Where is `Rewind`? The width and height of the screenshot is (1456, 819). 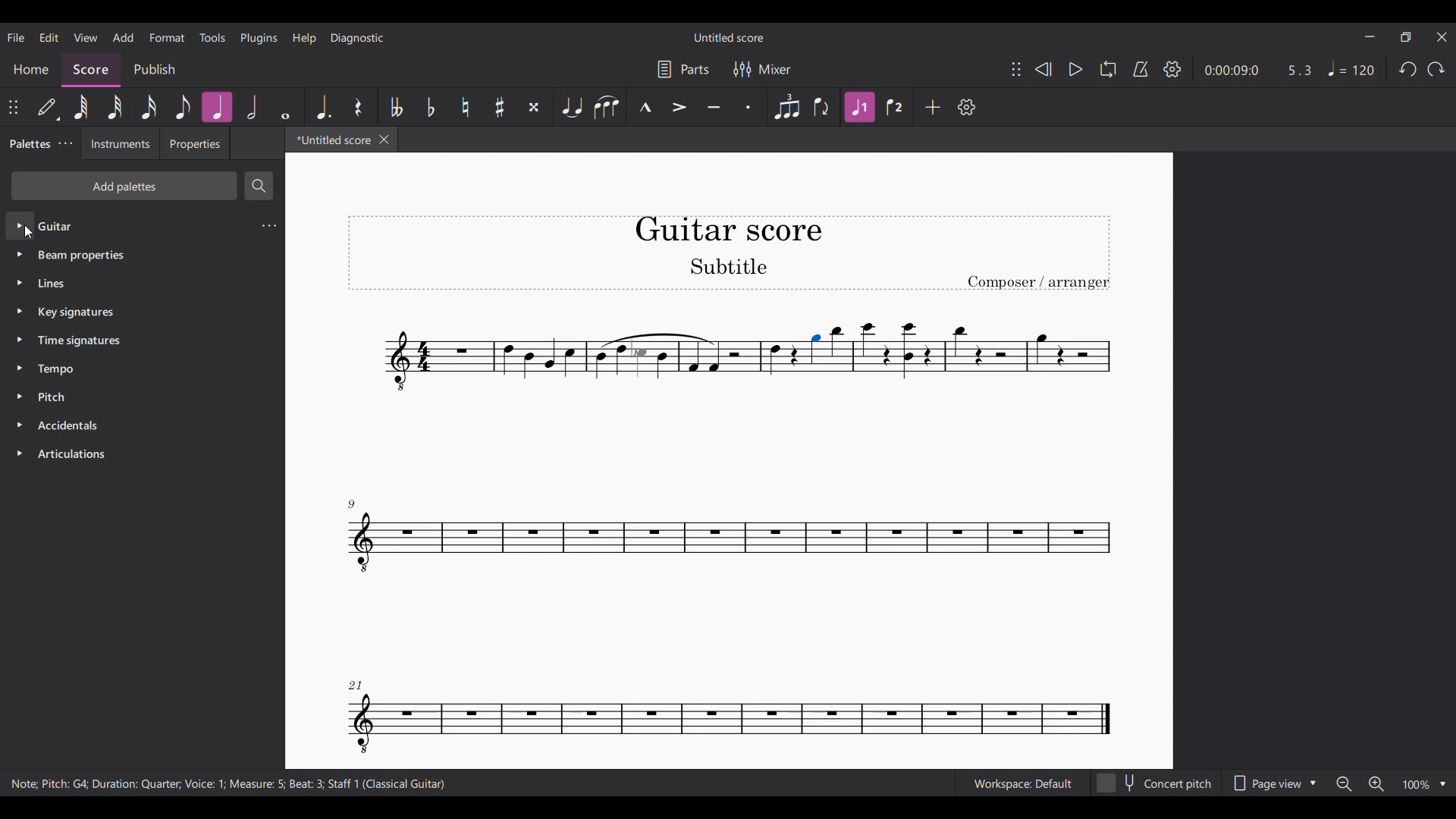
Rewind is located at coordinates (1043, 69).